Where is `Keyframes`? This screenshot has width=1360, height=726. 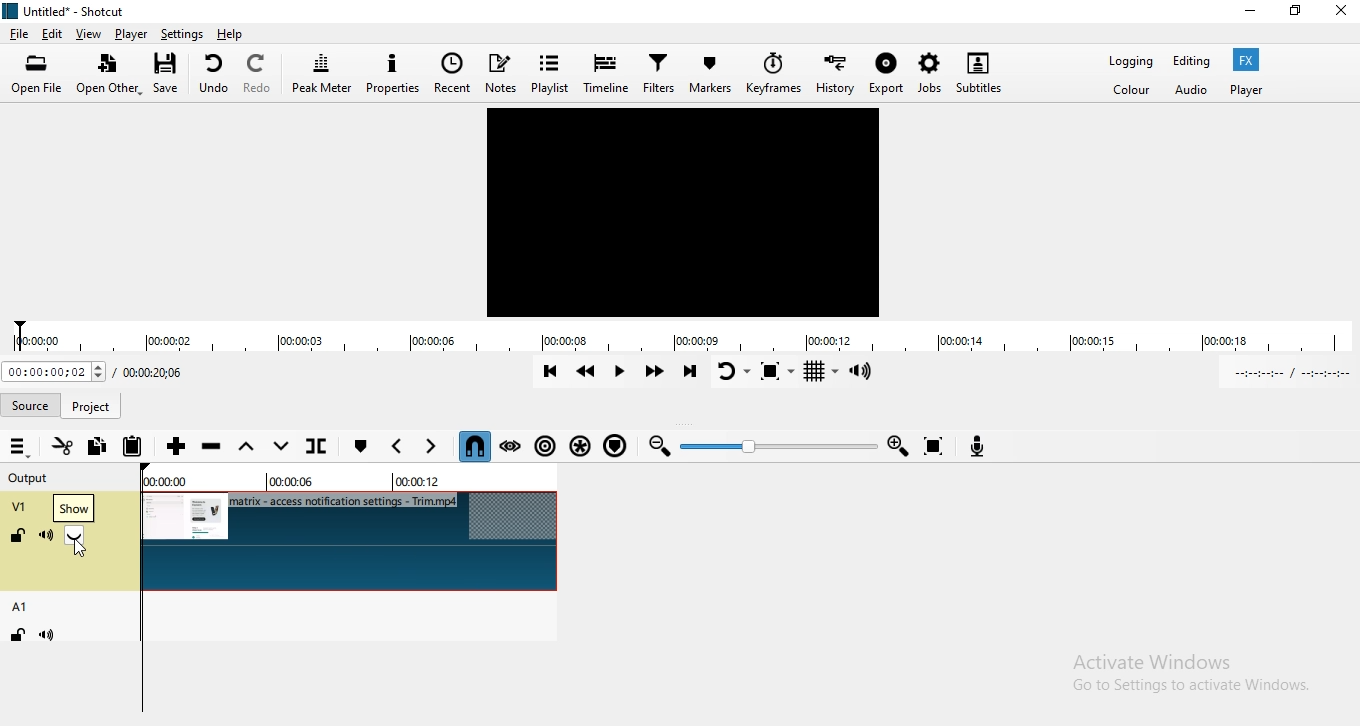 Keyframes is located at coordinates (775, 73).